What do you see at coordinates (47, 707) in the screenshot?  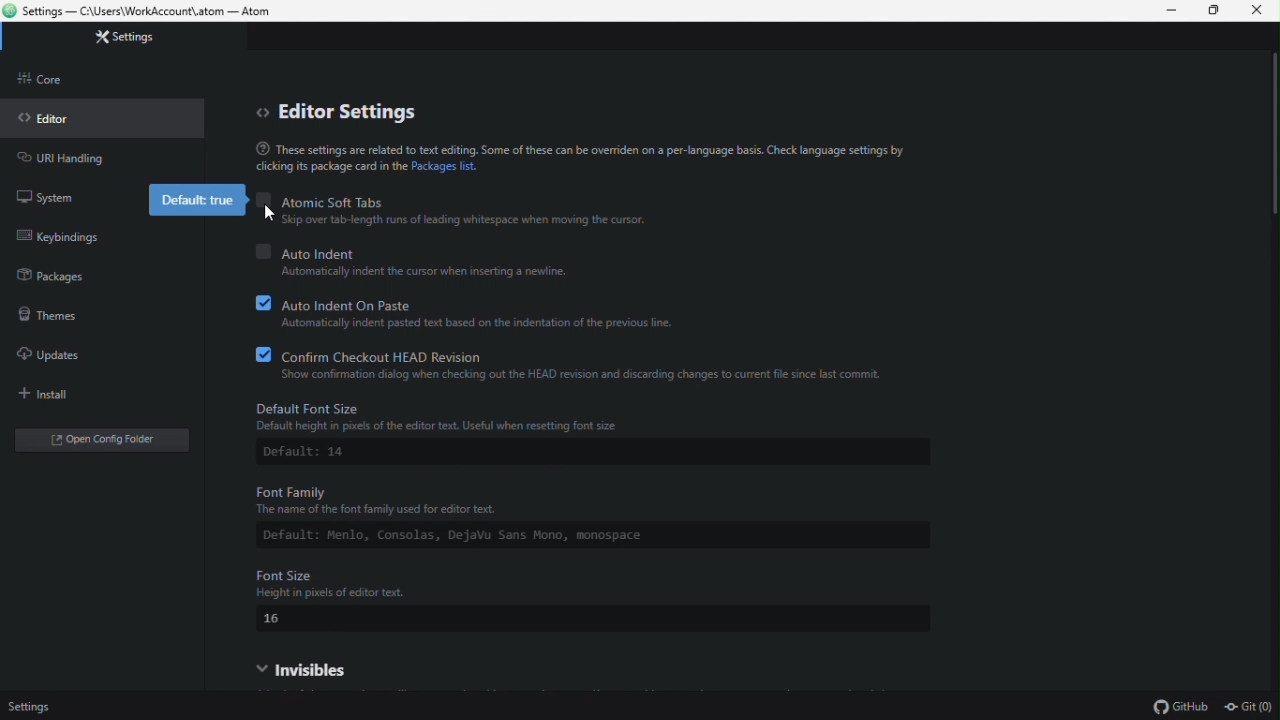 I see `Settings` at bounding box center [47, 707].